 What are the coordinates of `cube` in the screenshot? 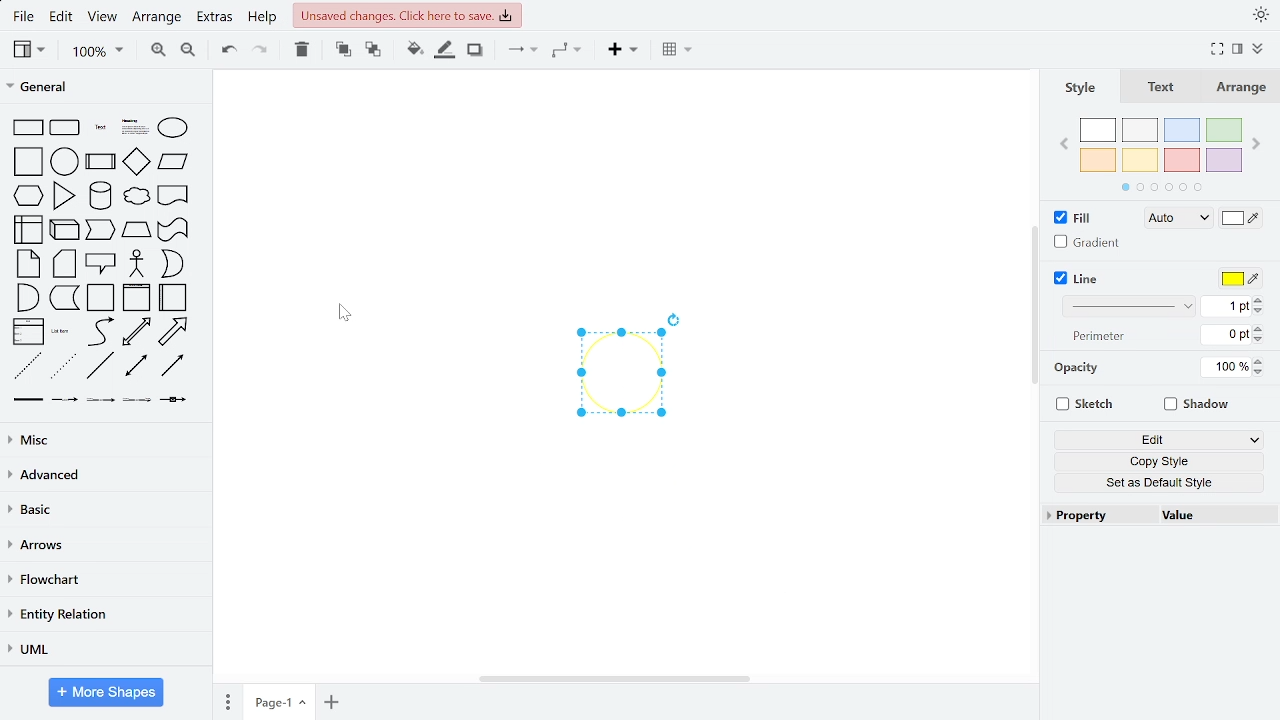 It's located at (64, 230).